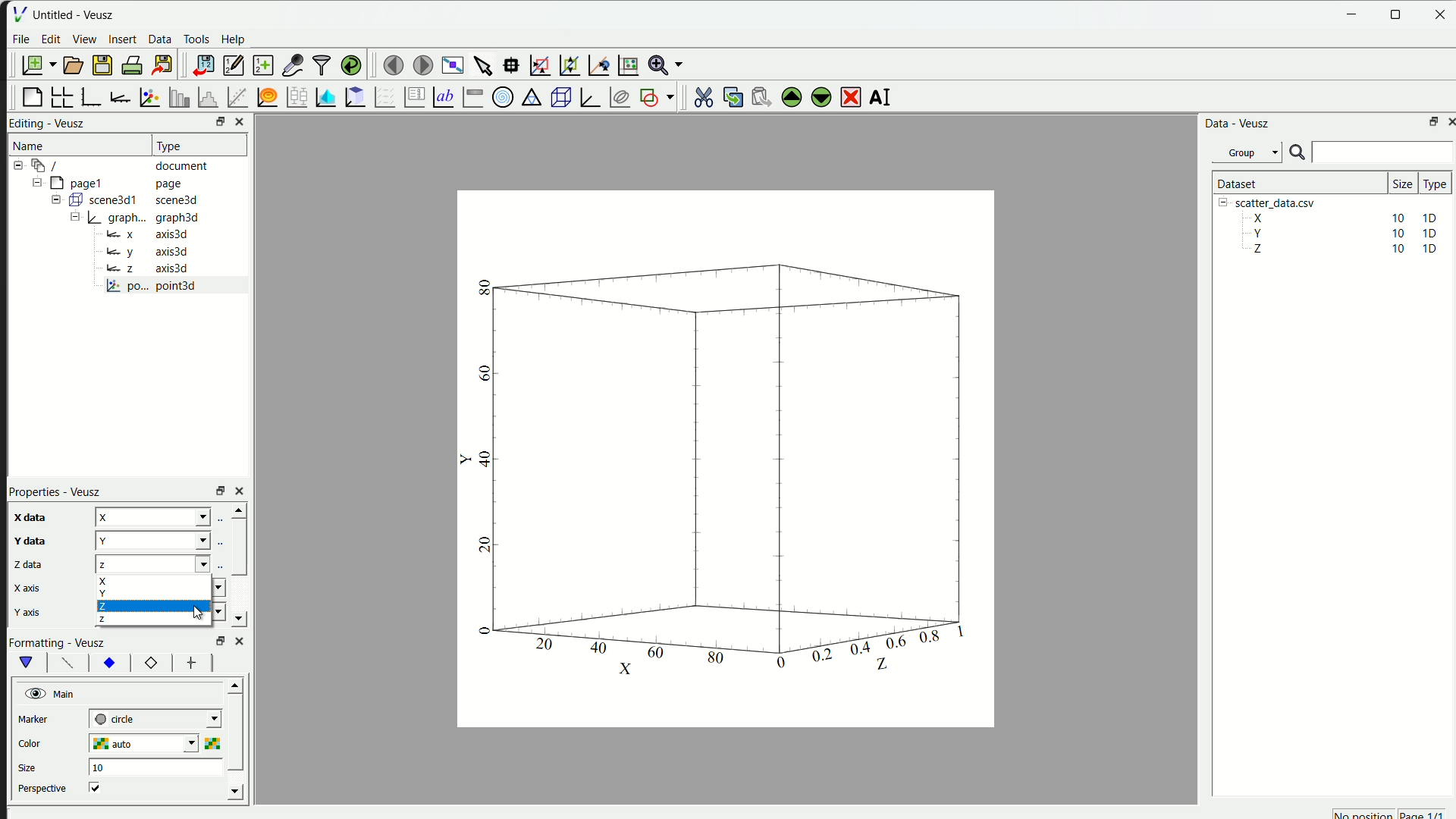 This screenshot has height=819, width=1456. I want to click on close, so click(237, 122).